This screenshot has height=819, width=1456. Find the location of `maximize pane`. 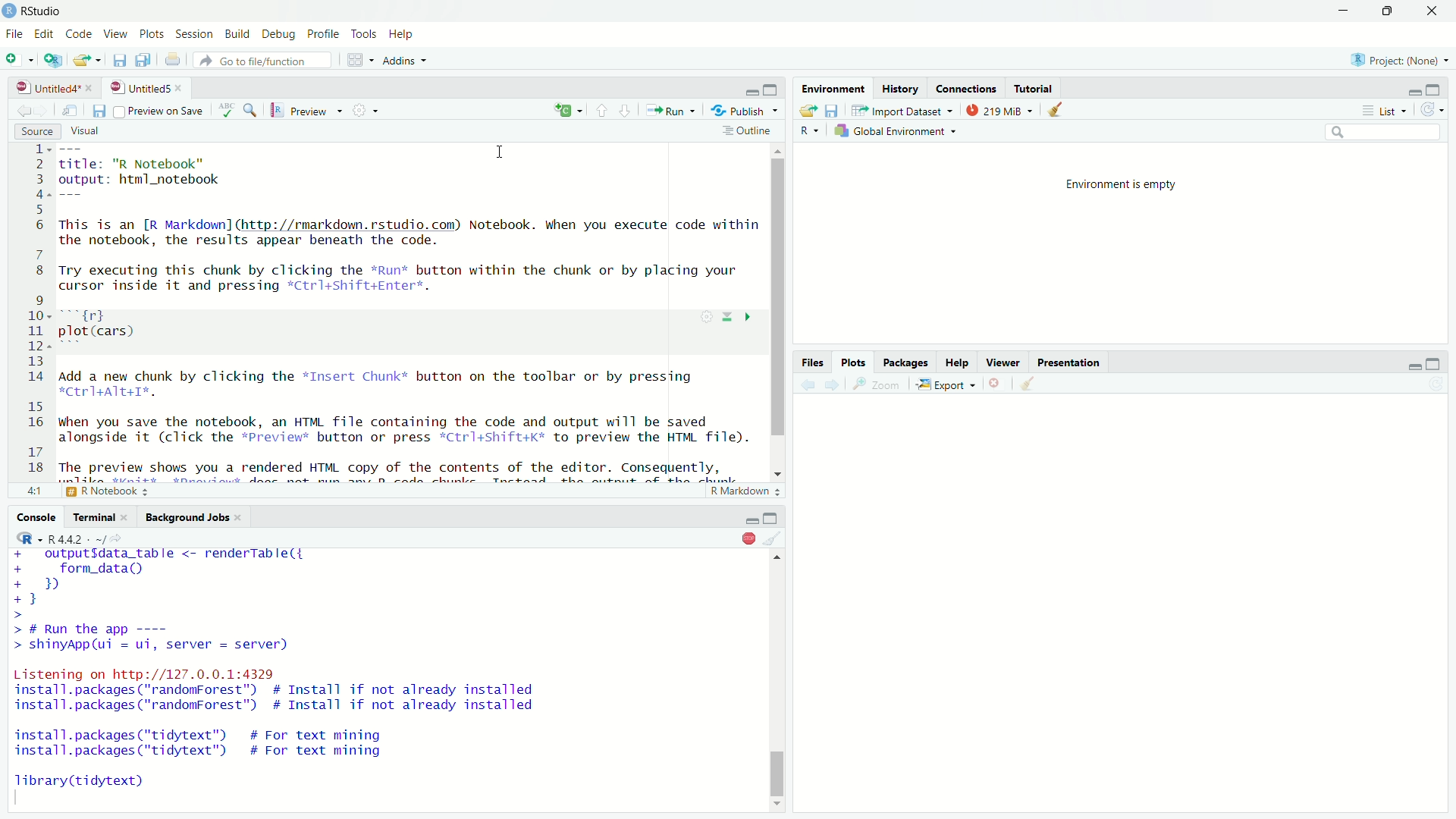

maximize pane is located at coordinates (774, 88).